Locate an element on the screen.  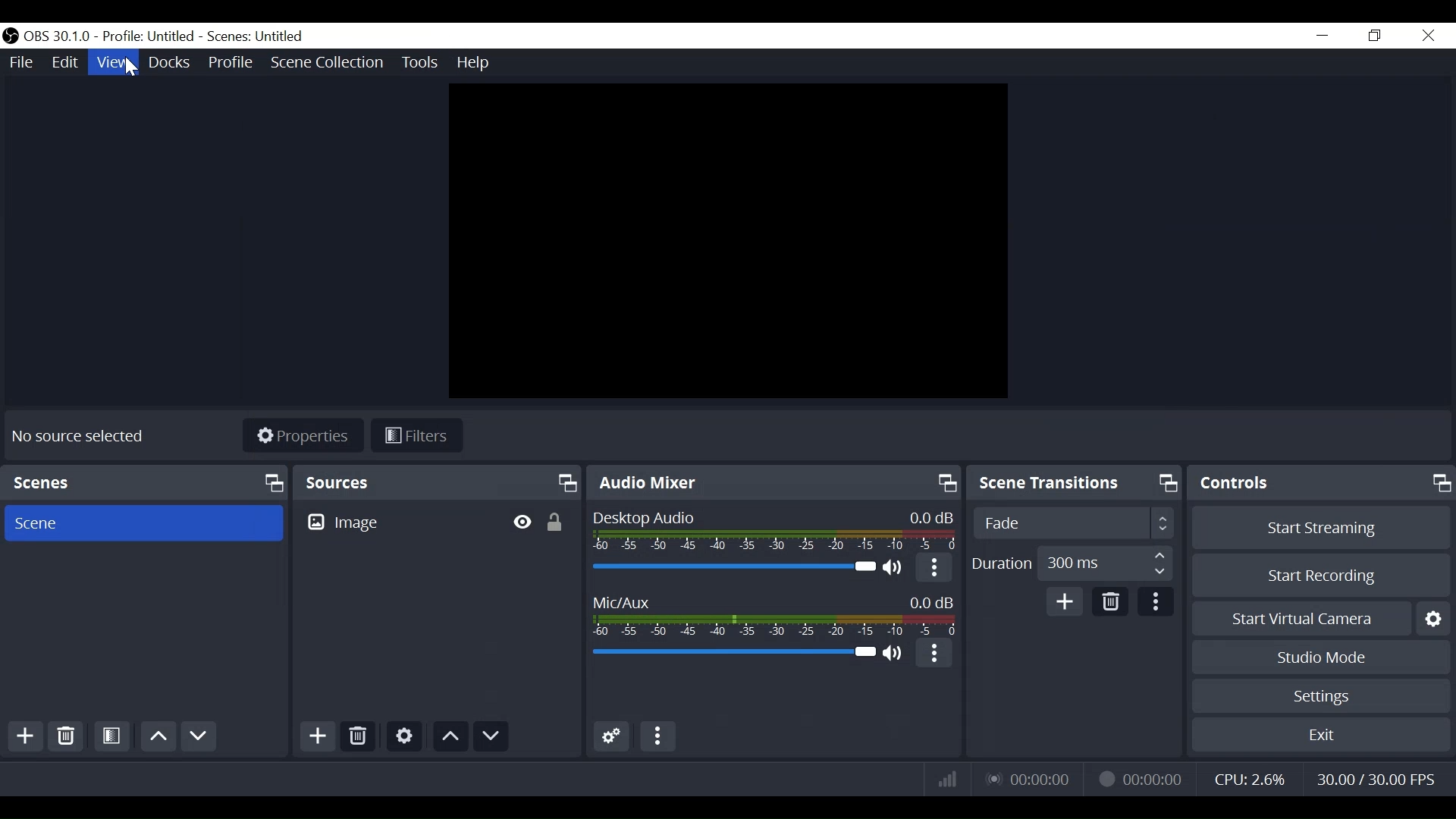
CPU Usage is located at coordinates (1252, 779).